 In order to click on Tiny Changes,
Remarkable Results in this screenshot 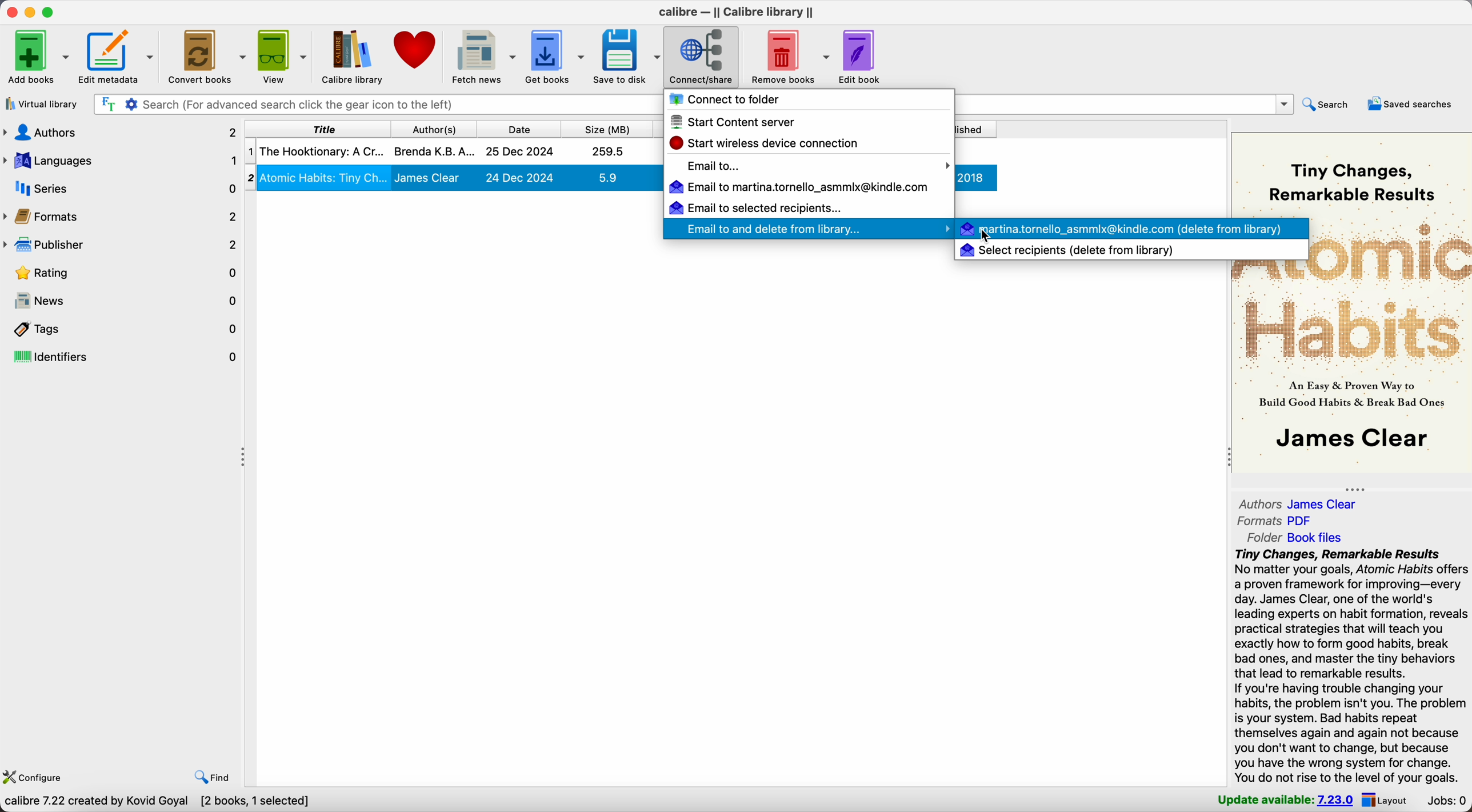, I will do `click(1350, 181)`.